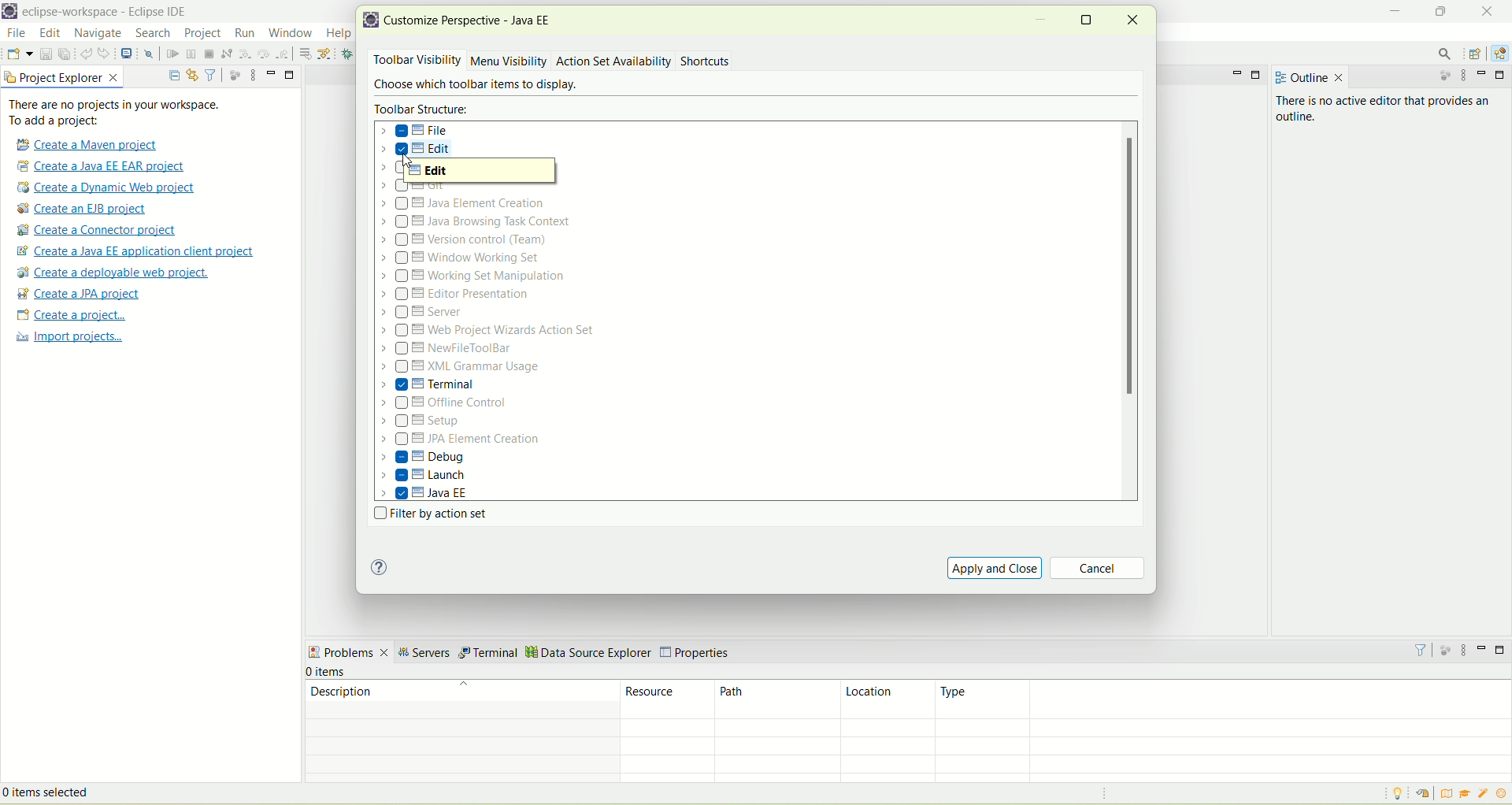 This screenshot has width=1512, height=805. What do you see at coordinates (328, 54) in the screenshot?
I see `use step filter` at bounding box center [328, 54].